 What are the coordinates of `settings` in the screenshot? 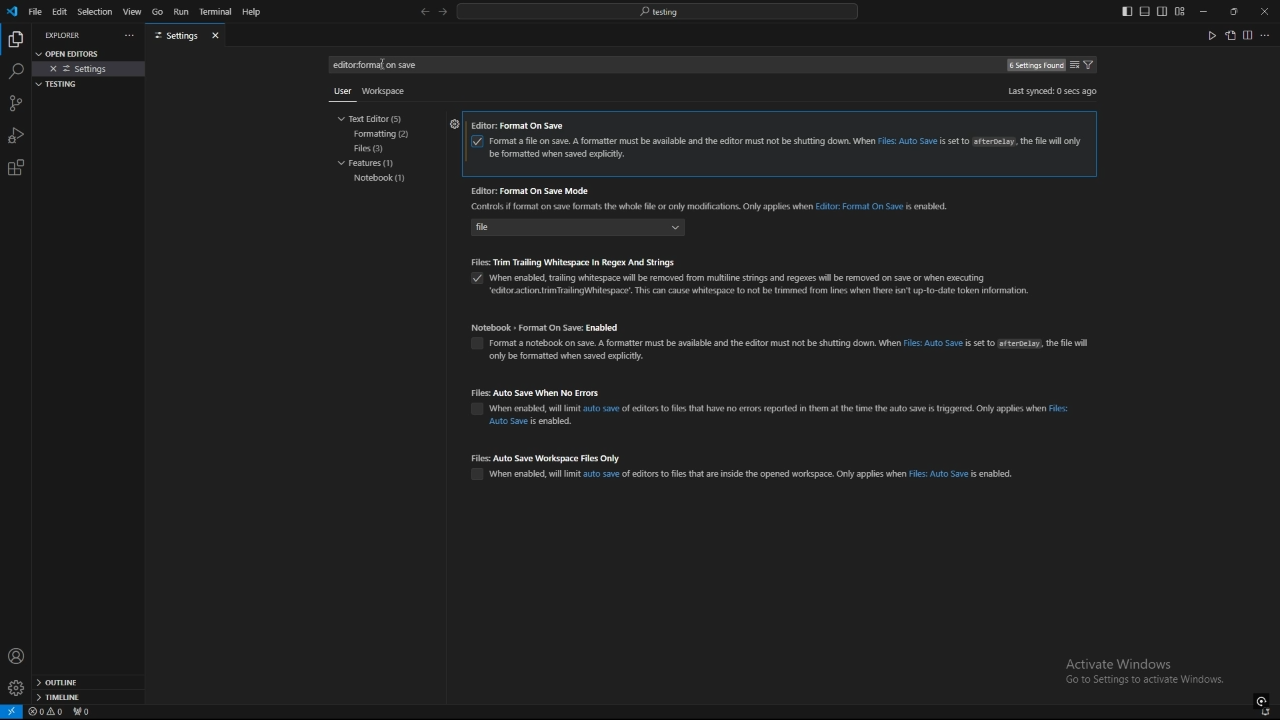 It's located at (90, 69).